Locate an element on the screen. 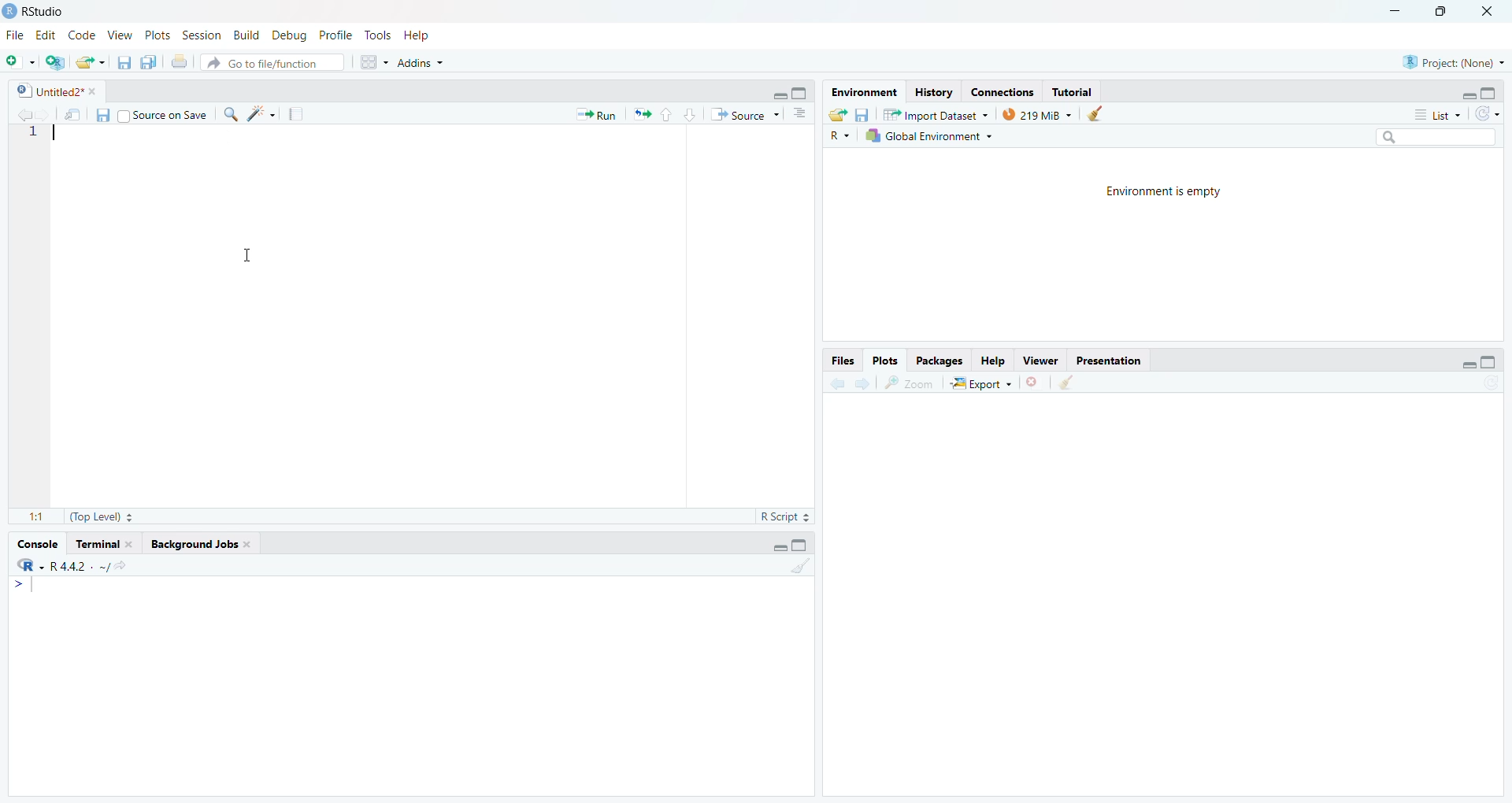 This screenshot has height=803, width=1512. Go to previous section is located at coordinates (665, 114).